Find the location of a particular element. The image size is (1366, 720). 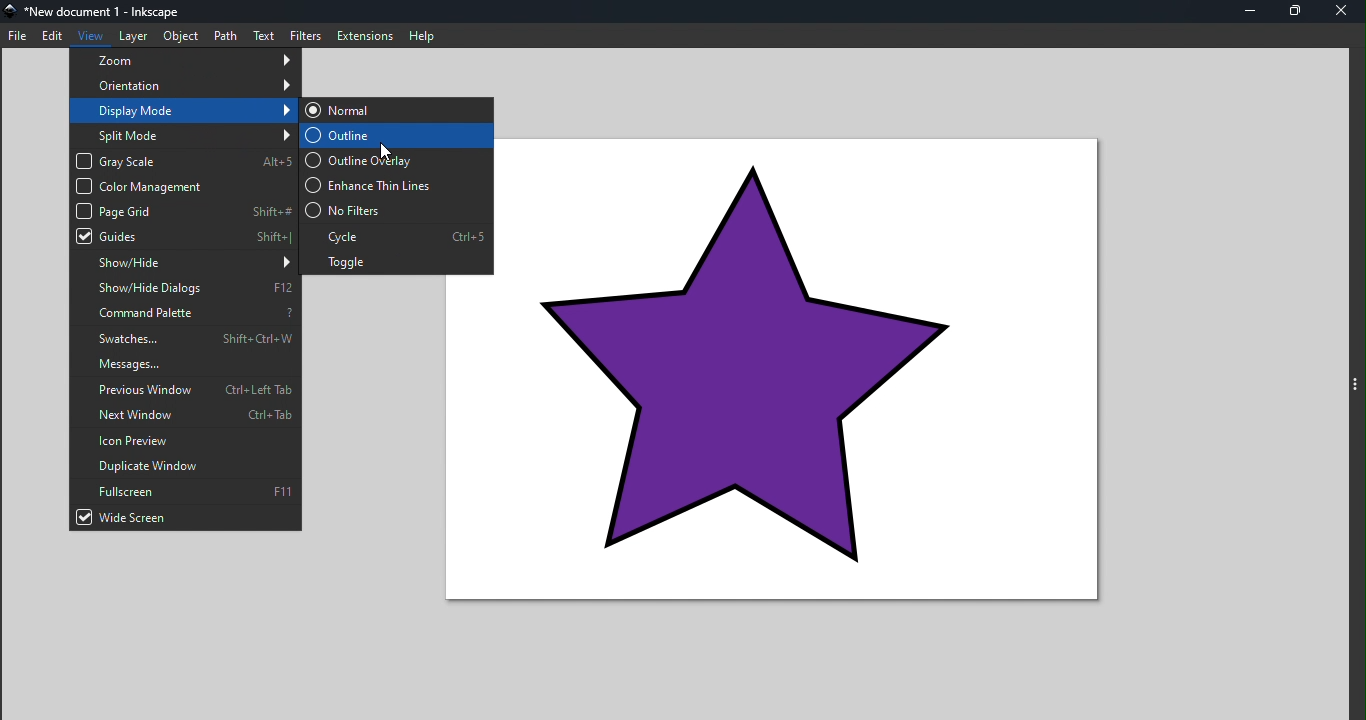

Next window is located at coordinates (189, 415).